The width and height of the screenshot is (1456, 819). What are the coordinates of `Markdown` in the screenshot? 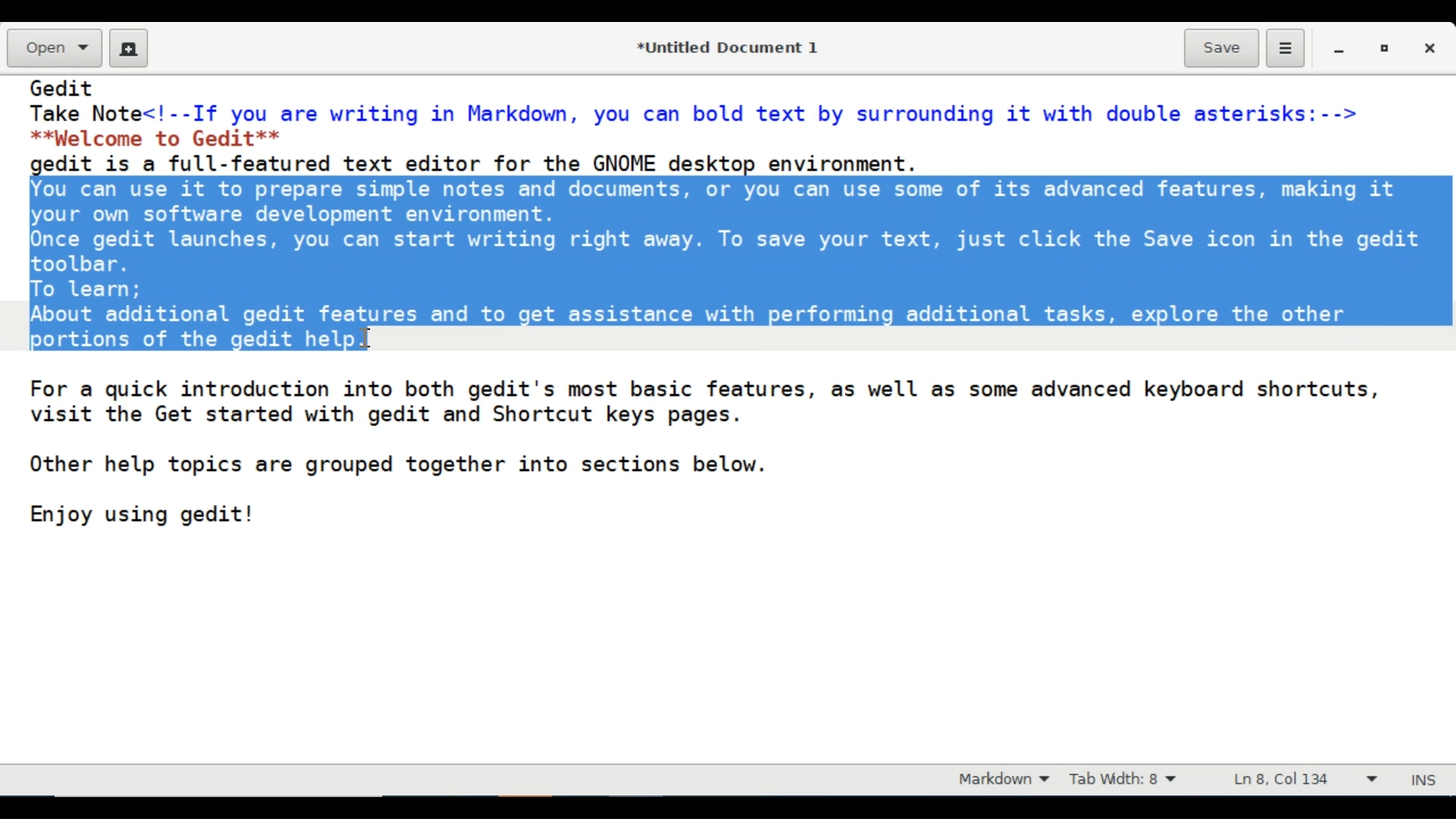 It's located at (999, 780).